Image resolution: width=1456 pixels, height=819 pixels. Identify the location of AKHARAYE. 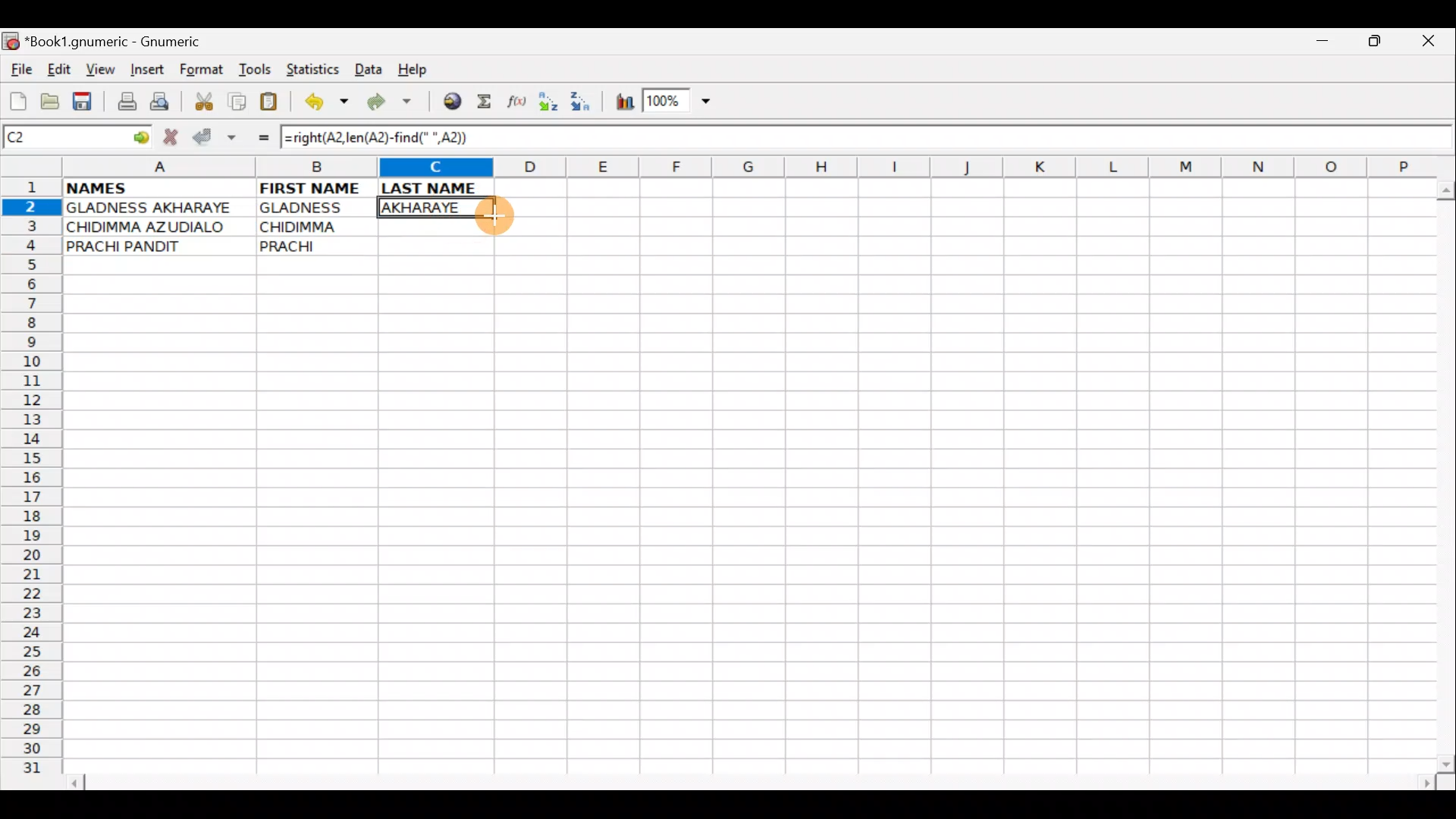
(438, 207).